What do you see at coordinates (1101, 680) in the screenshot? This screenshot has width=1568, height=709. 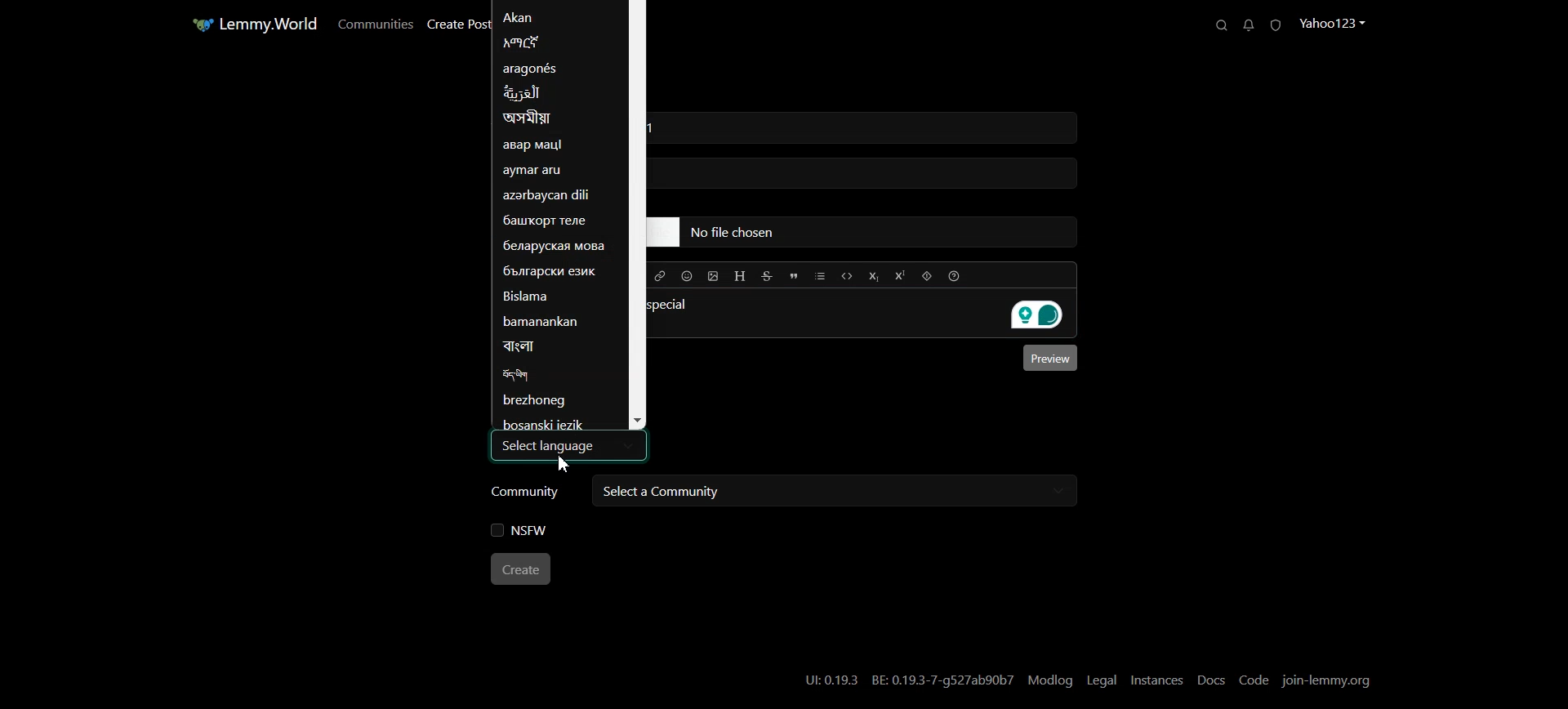 I see `Legal` at bounding box center [1101, 680].